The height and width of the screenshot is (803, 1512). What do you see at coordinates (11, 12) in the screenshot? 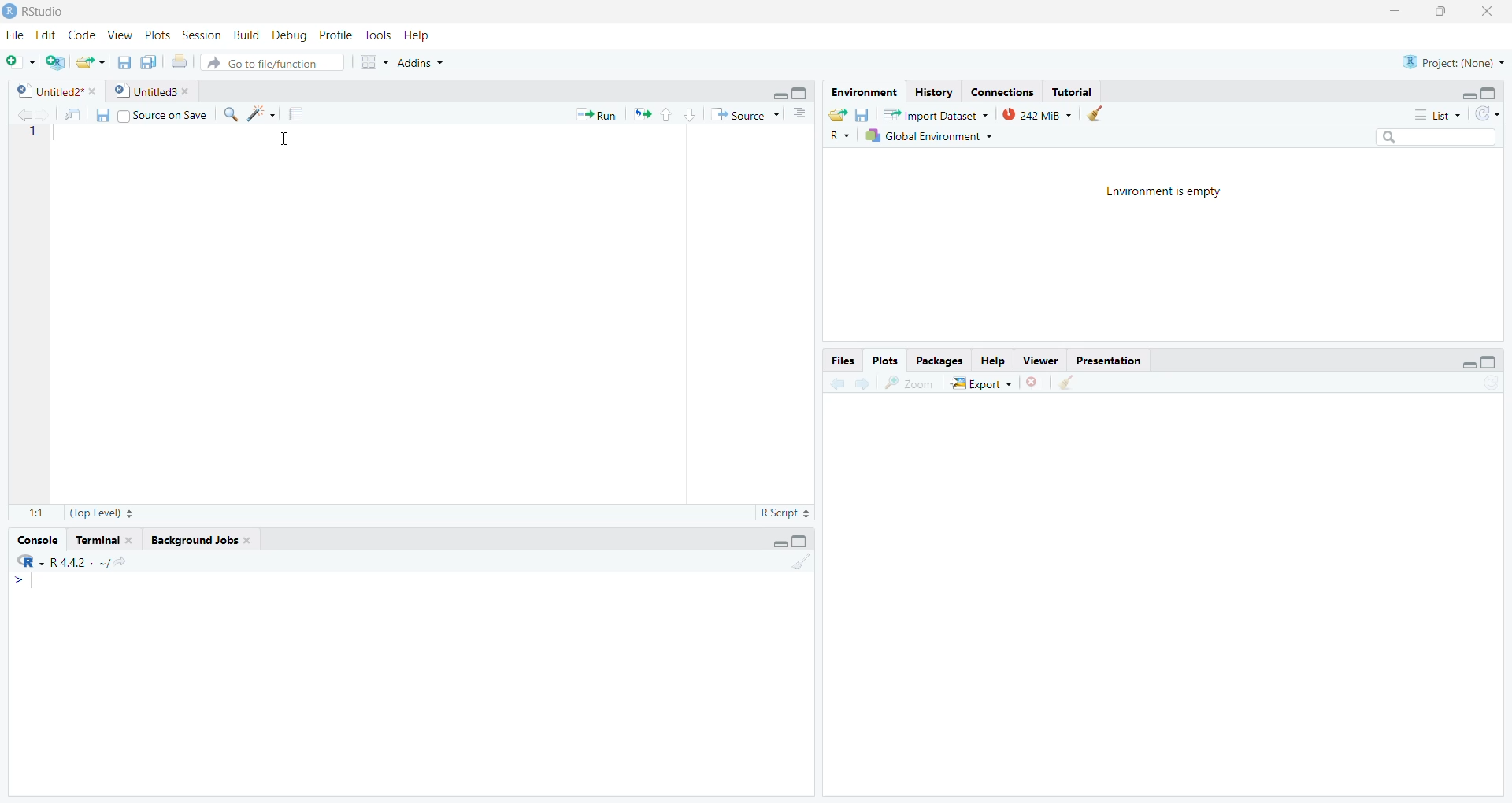
I see `logo` at bounding box center [11, 12].